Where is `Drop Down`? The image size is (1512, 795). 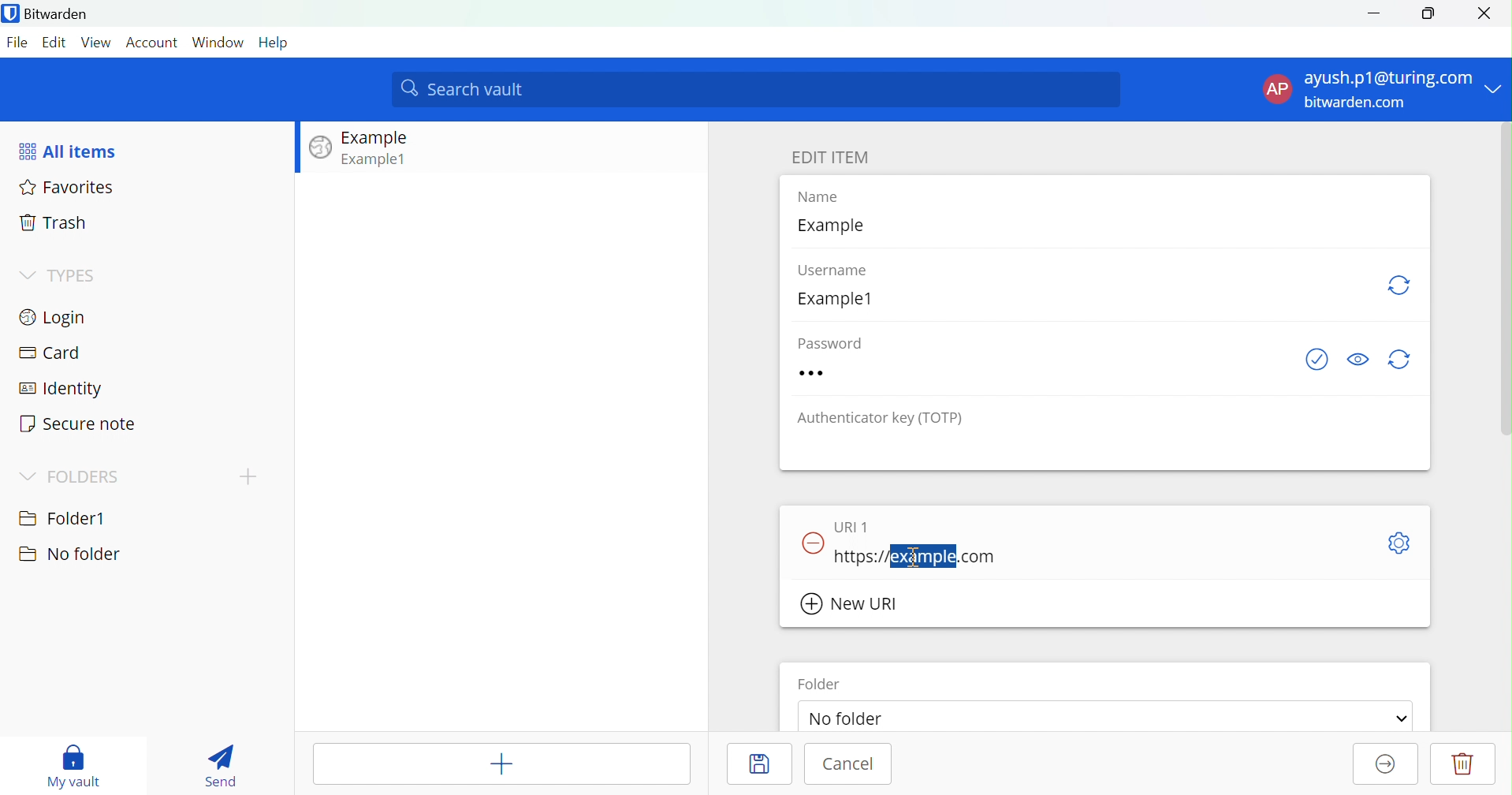
Drop Down is located at coordinates (27, 476).